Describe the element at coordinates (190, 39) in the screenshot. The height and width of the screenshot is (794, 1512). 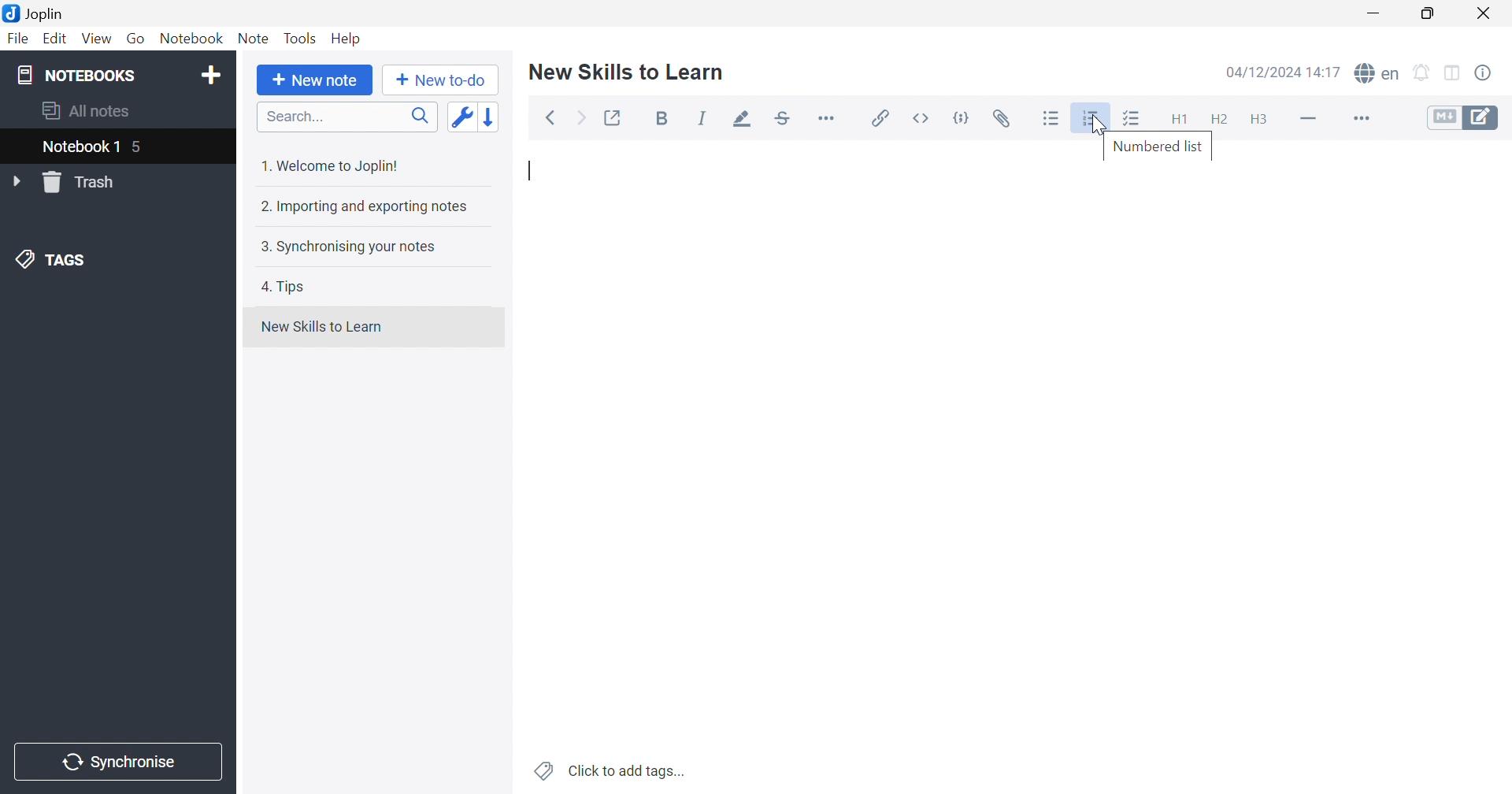
I see `Notebook` at that location.